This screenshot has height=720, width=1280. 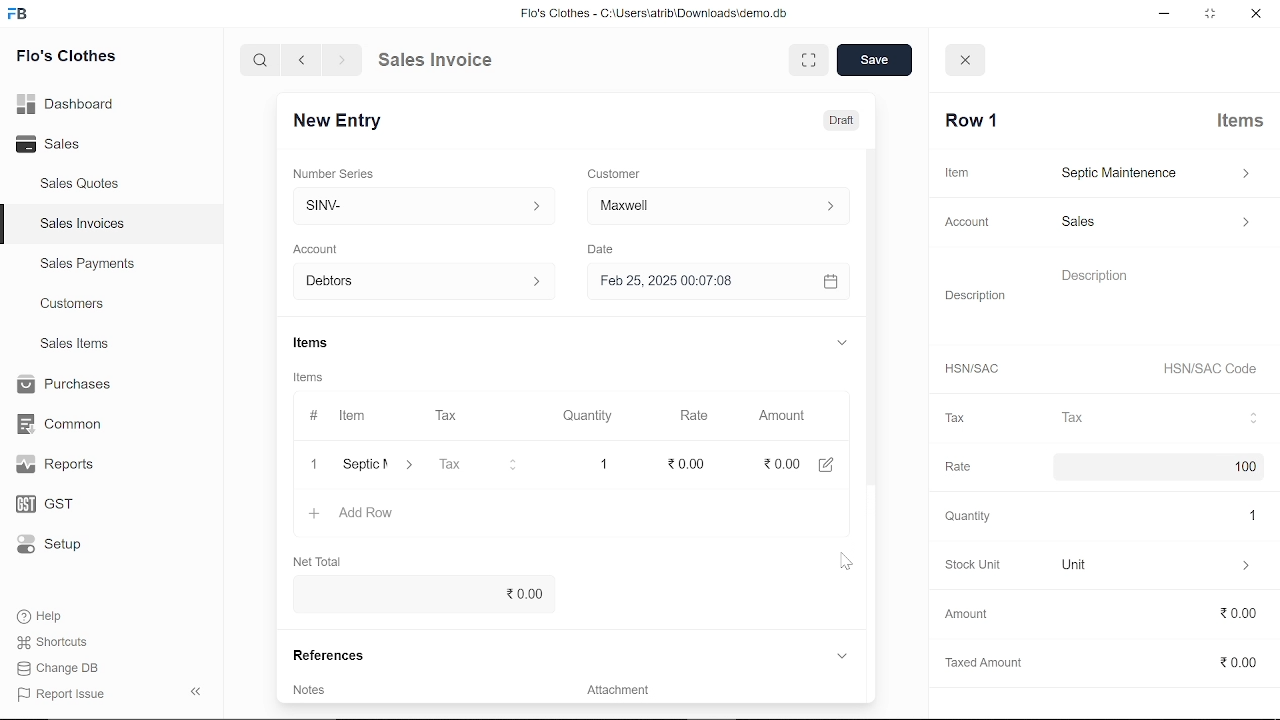 What do you see at coordinates (67, 107) in the screenshot?
I see `Dashboard` at bounding box center [67, 107].